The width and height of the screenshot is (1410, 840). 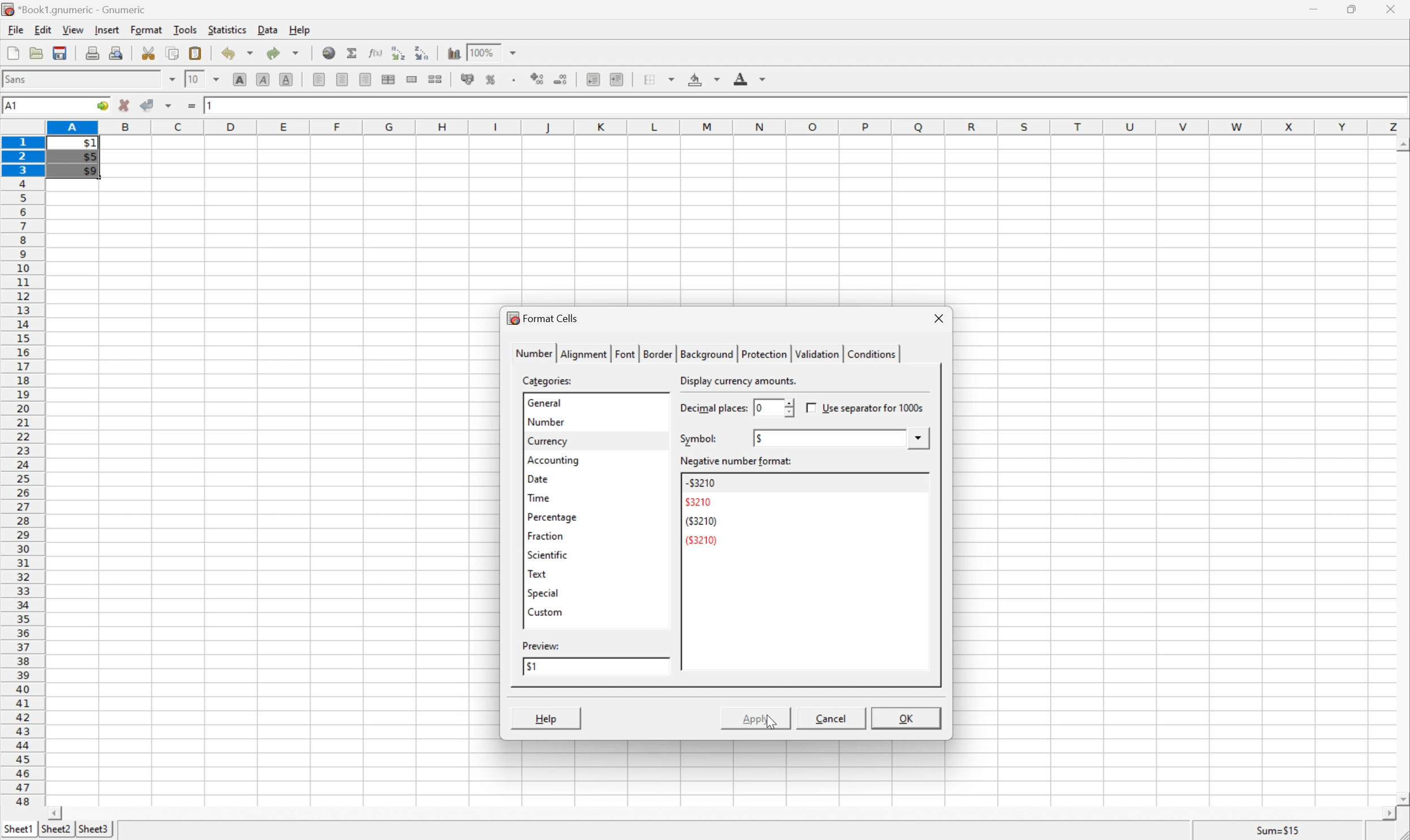 What do you see at coordinates (453, 52) in the screenshot?
I see `insert chart` at bounding box center [453, 52].